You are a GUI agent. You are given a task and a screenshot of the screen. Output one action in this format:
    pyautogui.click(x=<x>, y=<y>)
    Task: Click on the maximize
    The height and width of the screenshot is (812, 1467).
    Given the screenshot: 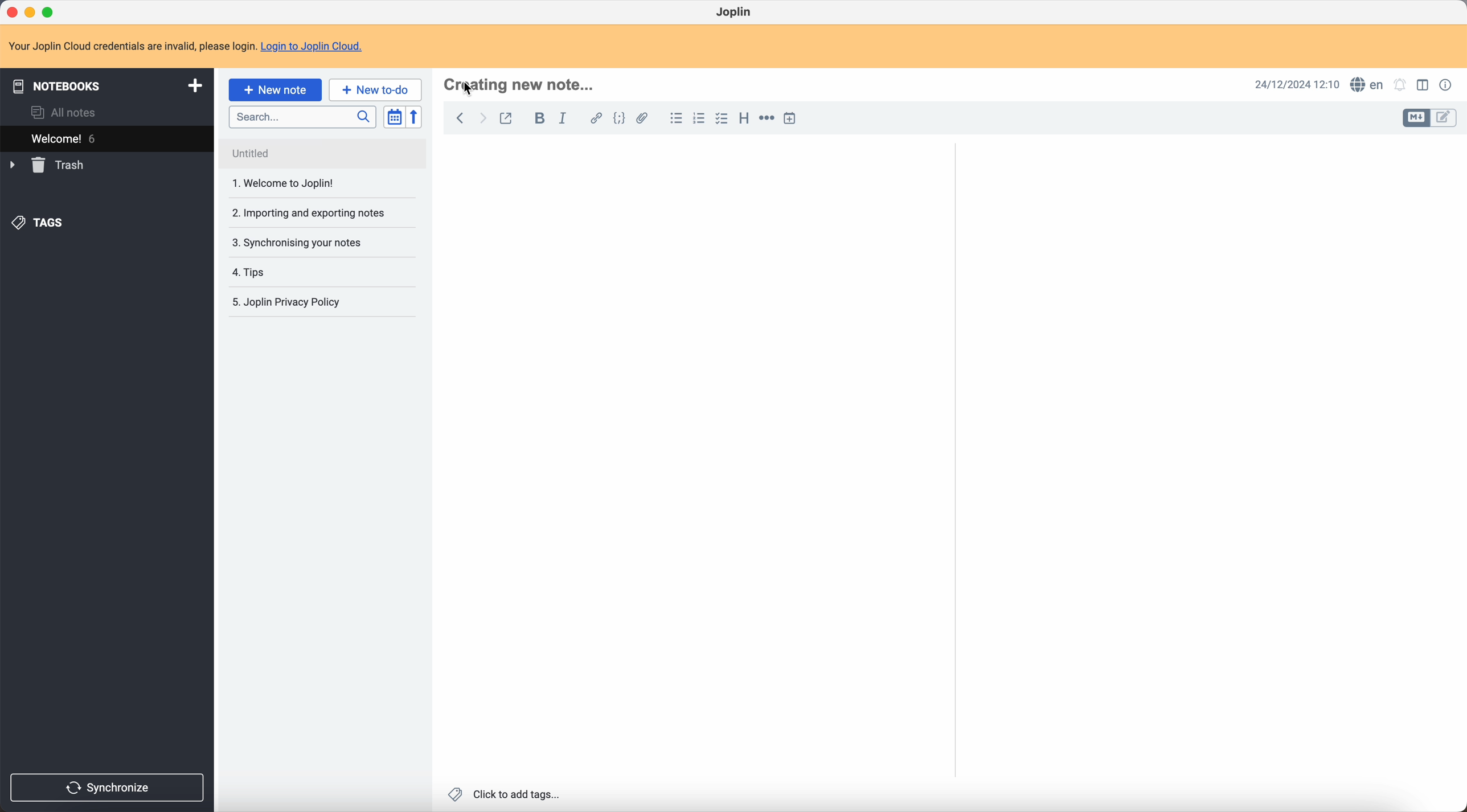 What is the action you would take?
    pyautogui.click(x=51, y=13)
    